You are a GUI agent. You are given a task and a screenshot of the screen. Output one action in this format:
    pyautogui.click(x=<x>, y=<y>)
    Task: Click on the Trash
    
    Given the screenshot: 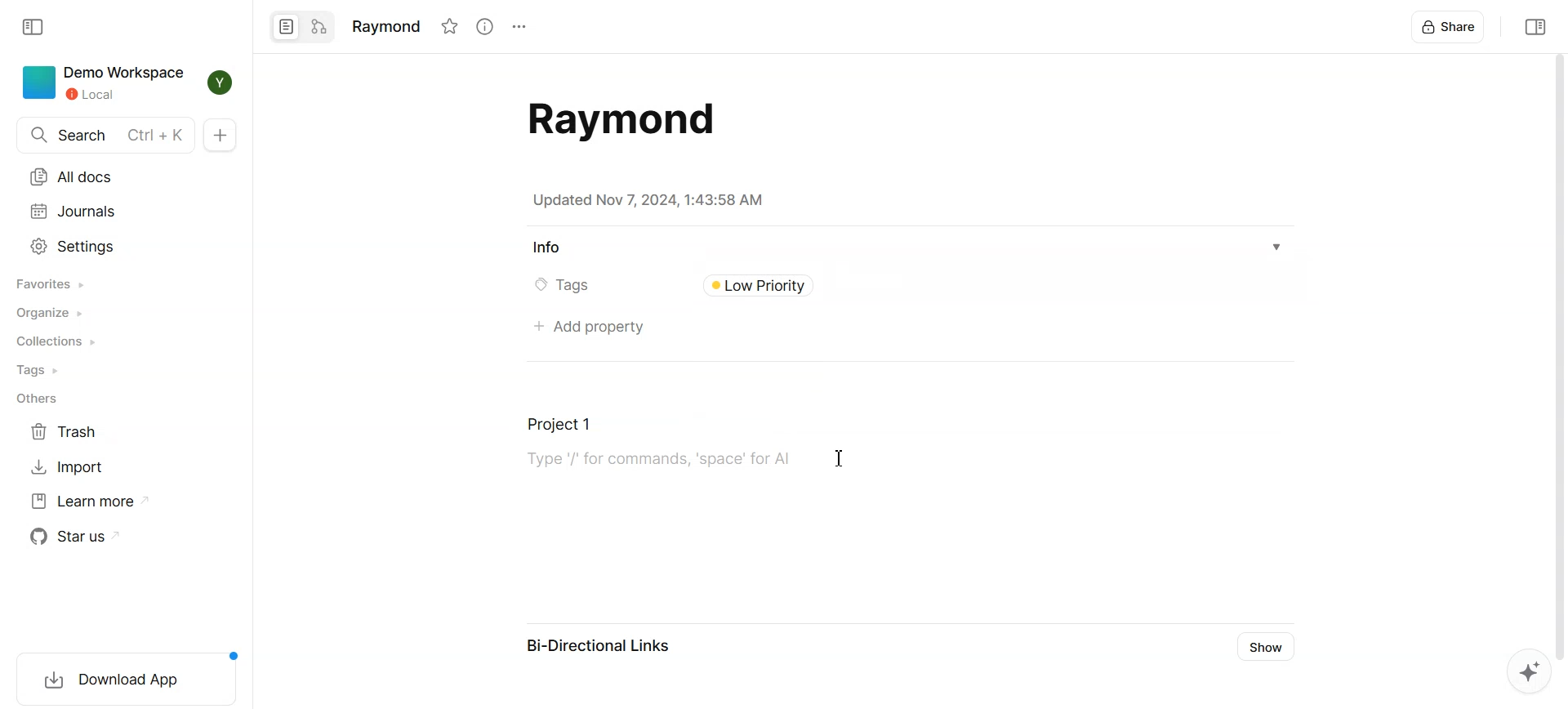 What is the action you would take?
    pyautogui.click(x=68, y=432)
    